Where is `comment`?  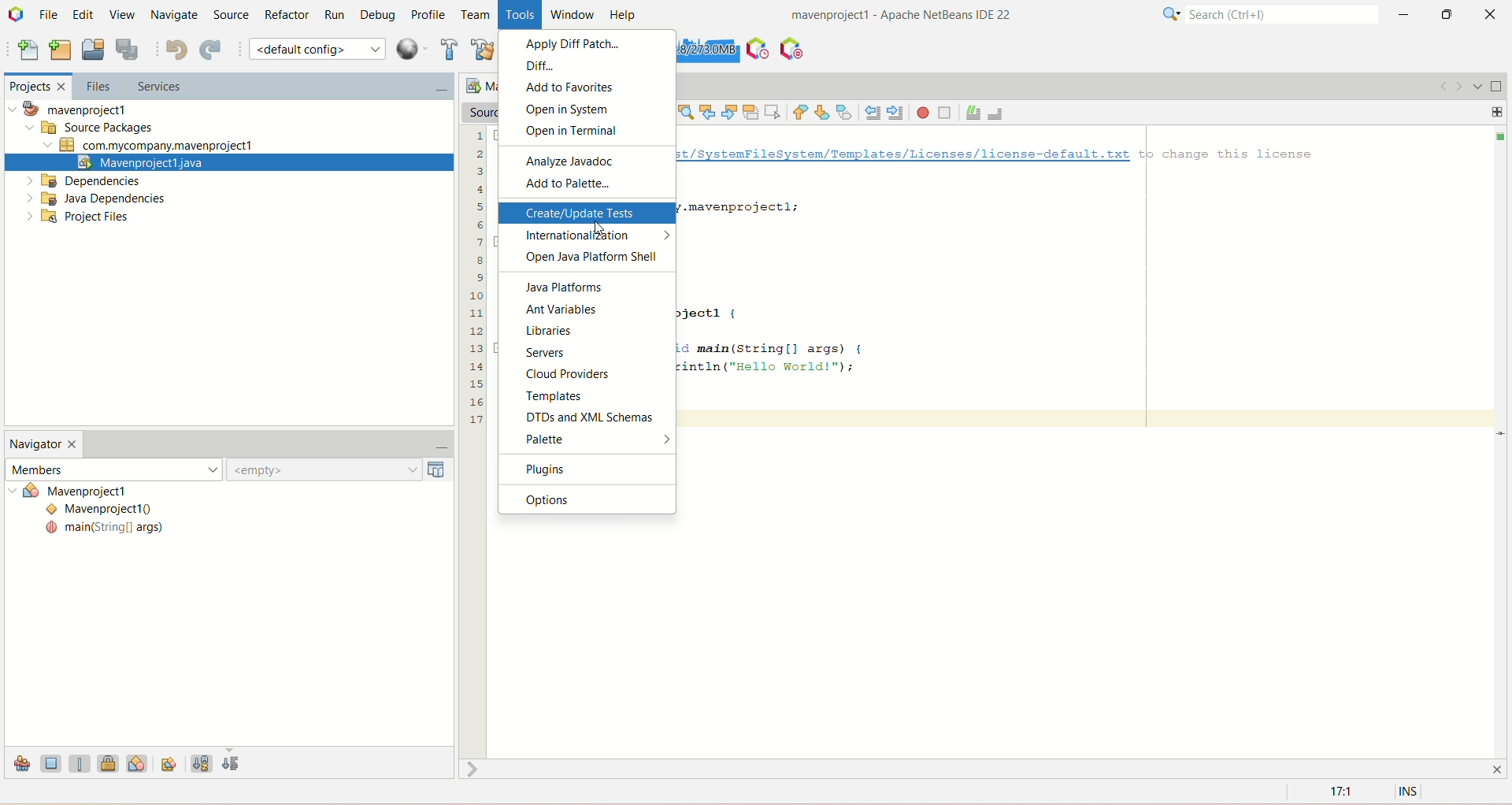
comment is located at coordinates (973, 113).